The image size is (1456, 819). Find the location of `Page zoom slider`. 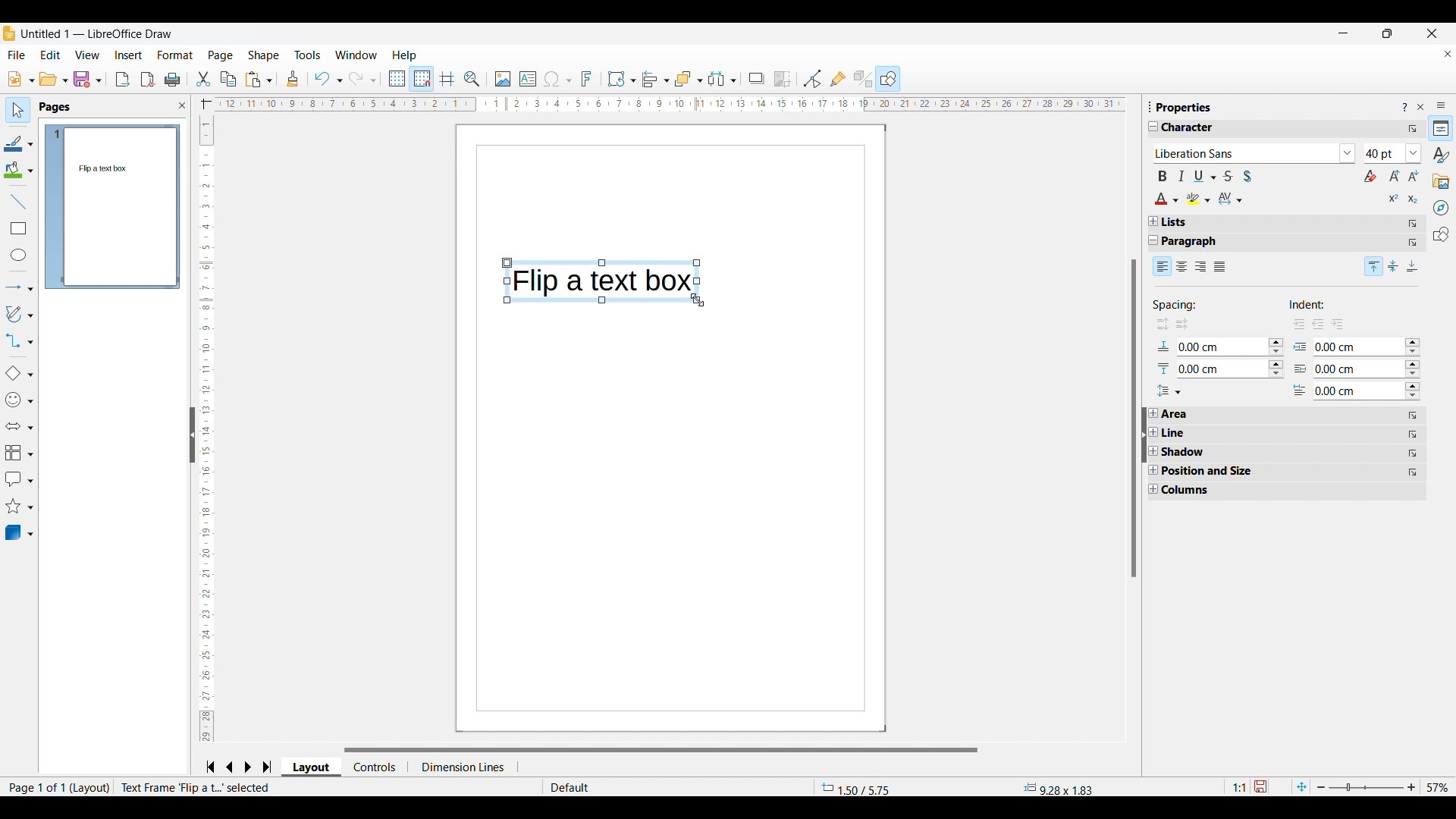

Page zoom slider is located at coordinates (1367, 787).